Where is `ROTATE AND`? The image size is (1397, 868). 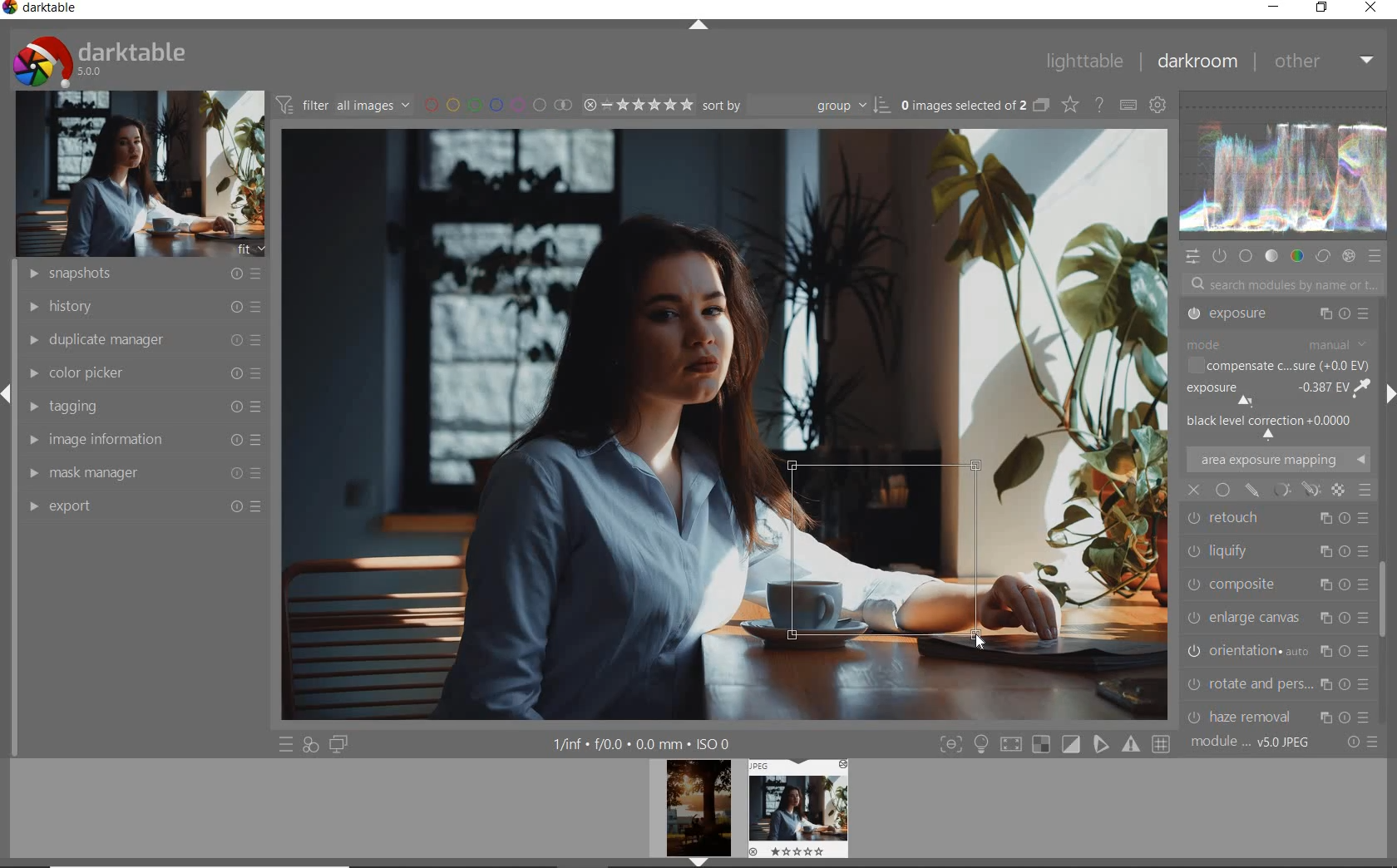
ROTATE AND is located at coordinates (1275, 582).